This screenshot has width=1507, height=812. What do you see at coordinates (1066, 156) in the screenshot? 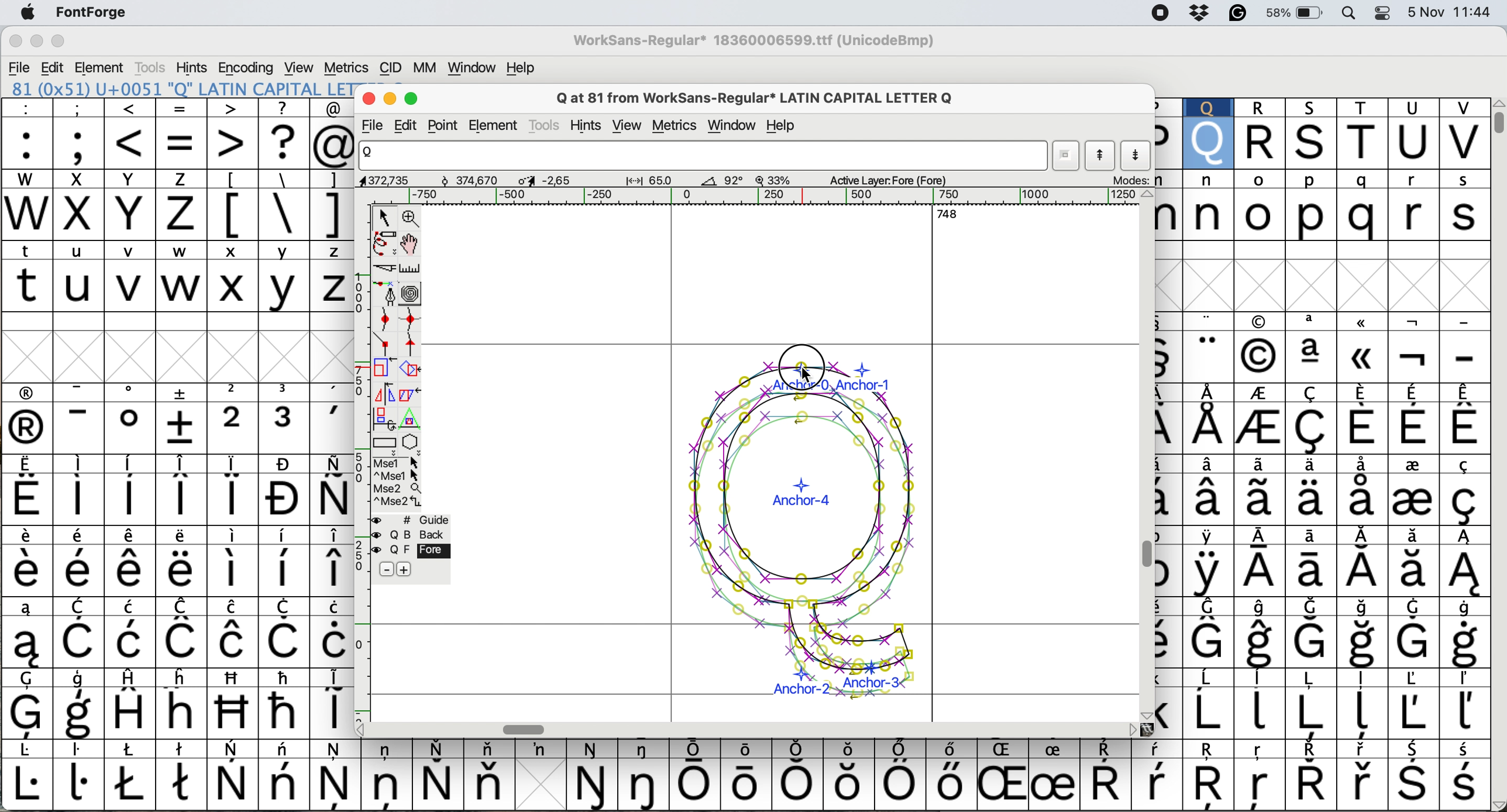
I see `current word list` at bounding box center [1066, 156].